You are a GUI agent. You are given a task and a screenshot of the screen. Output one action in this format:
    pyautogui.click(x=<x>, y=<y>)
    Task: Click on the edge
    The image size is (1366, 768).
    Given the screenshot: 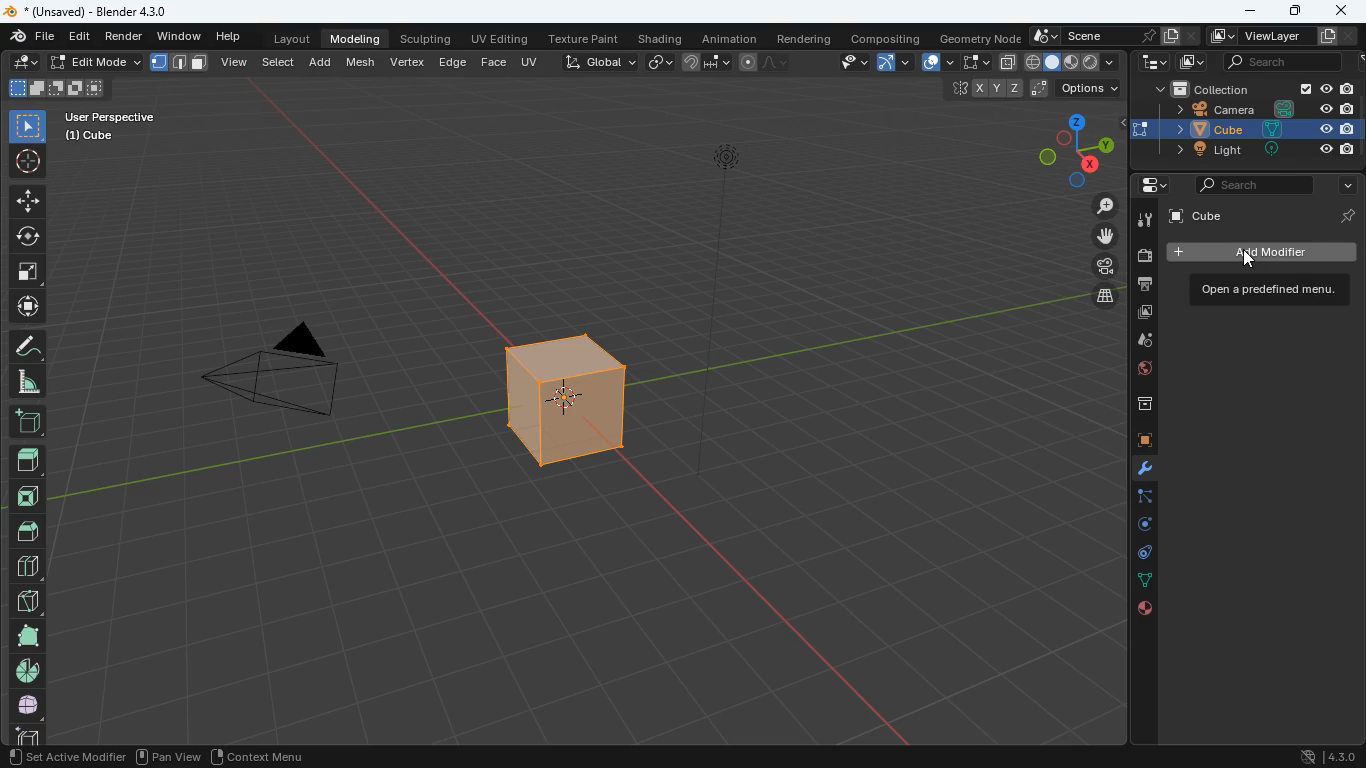 What is the action you would take?
    pyautogui.click(x=453, y=61)
    